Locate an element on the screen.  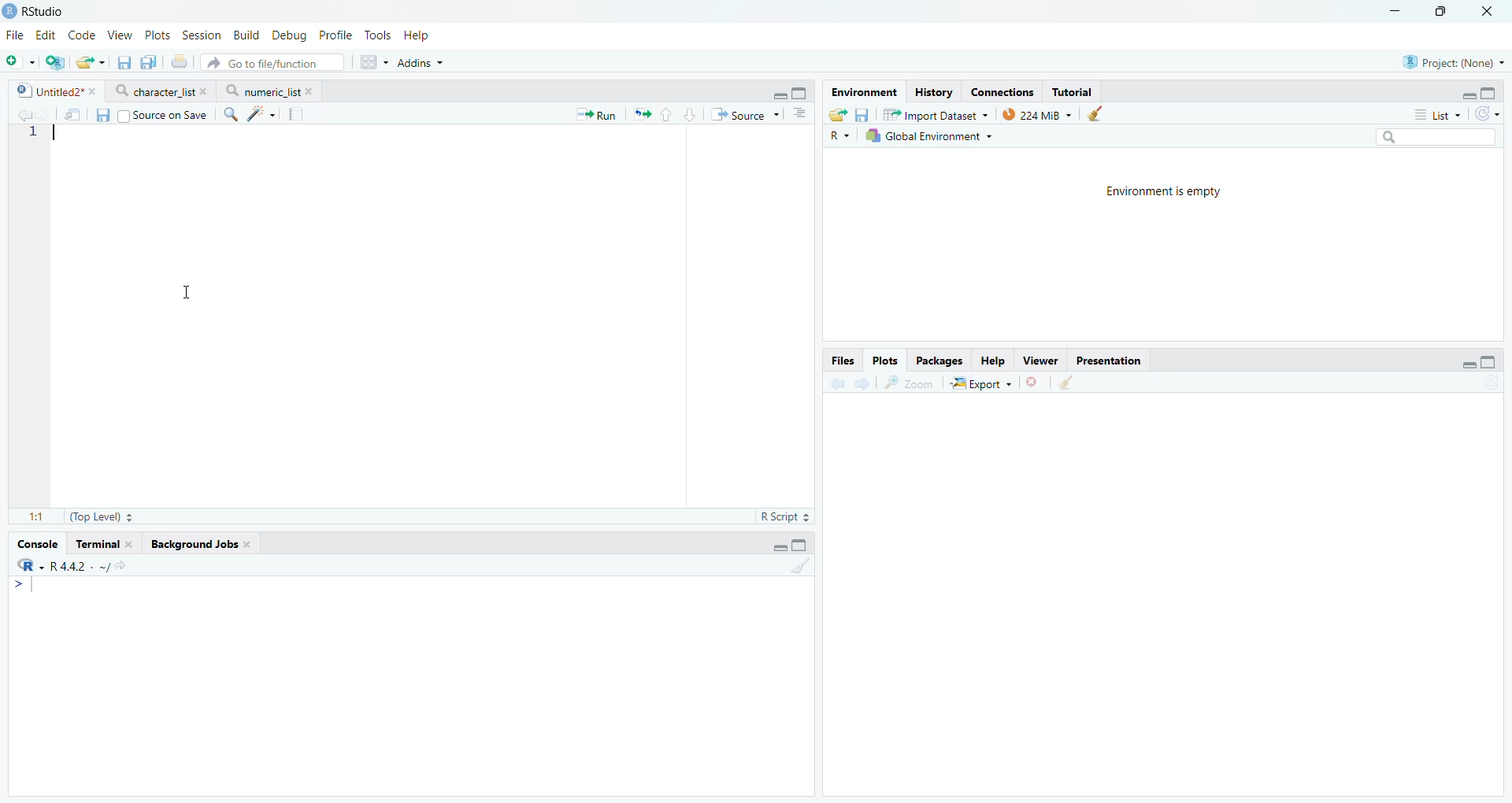
Save current file is located at coordinates (124, 62).